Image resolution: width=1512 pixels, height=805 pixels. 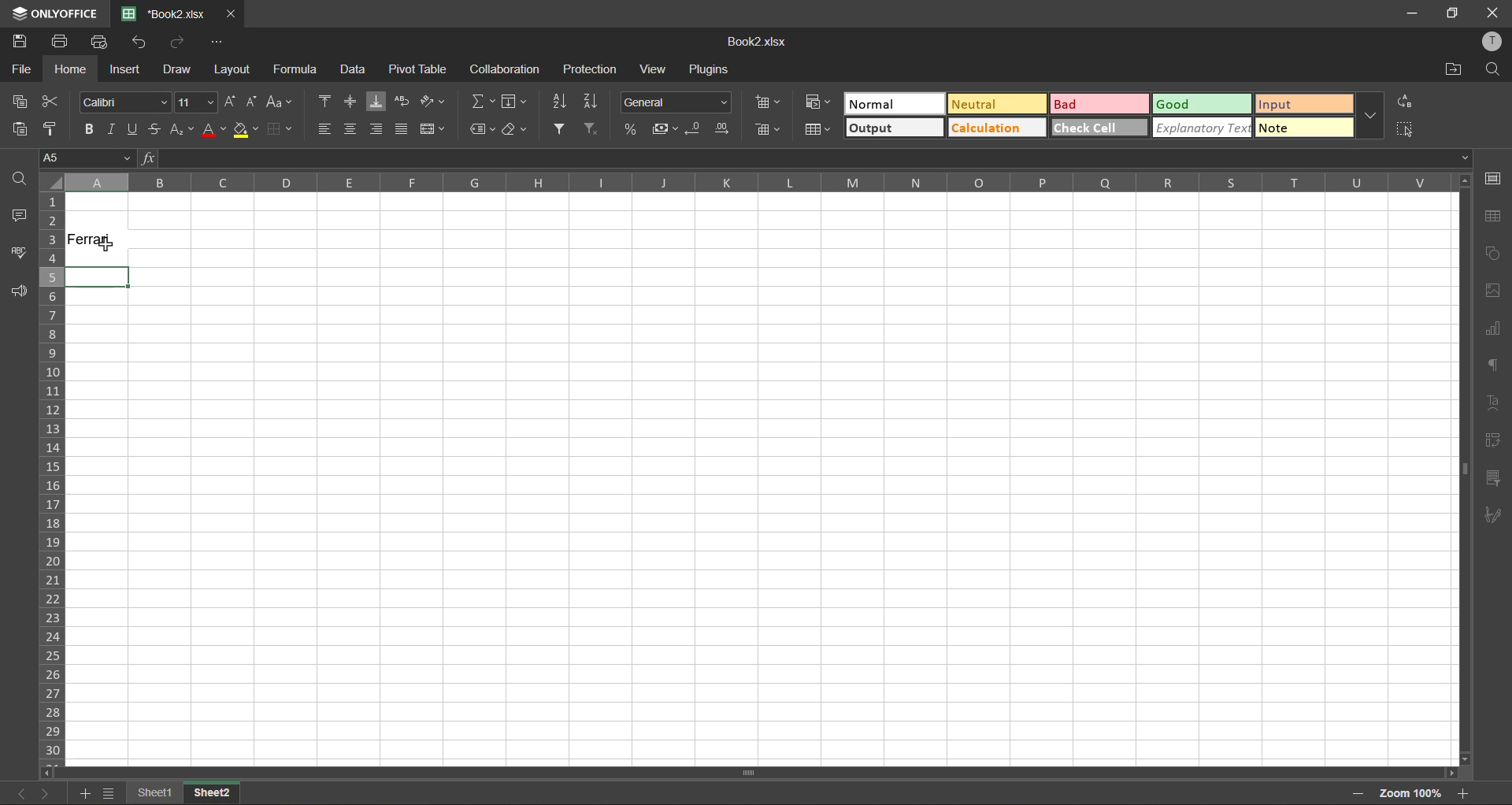 What do you see at coordinates (675, 101) in the screenshot?
I see `number format` at bounding box center [675, 101].